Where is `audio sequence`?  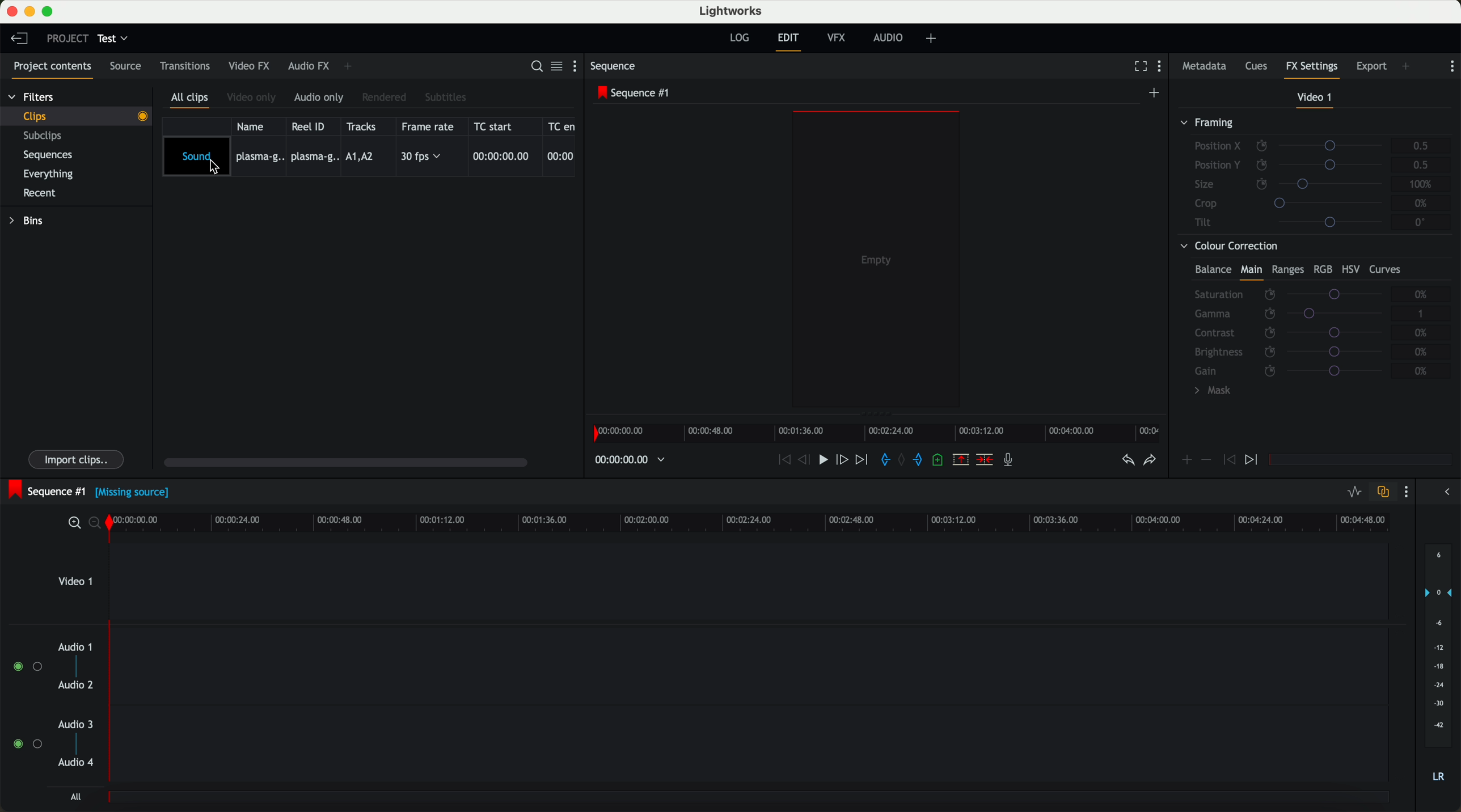 audio sequence is located at coordinates (750, 747).